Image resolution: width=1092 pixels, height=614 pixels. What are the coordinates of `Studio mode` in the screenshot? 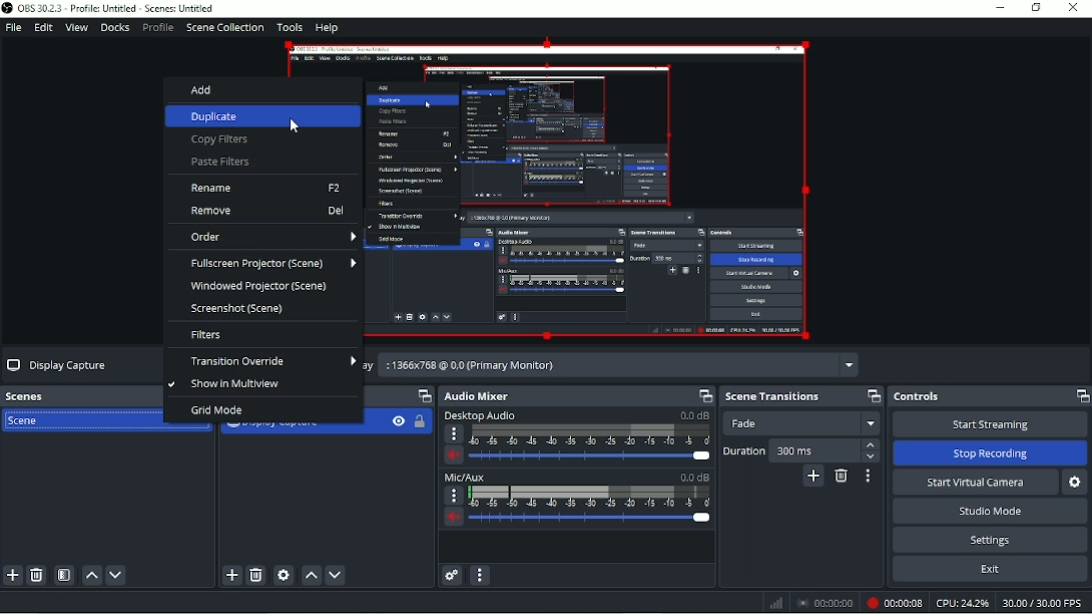 It's located at (990, 510).